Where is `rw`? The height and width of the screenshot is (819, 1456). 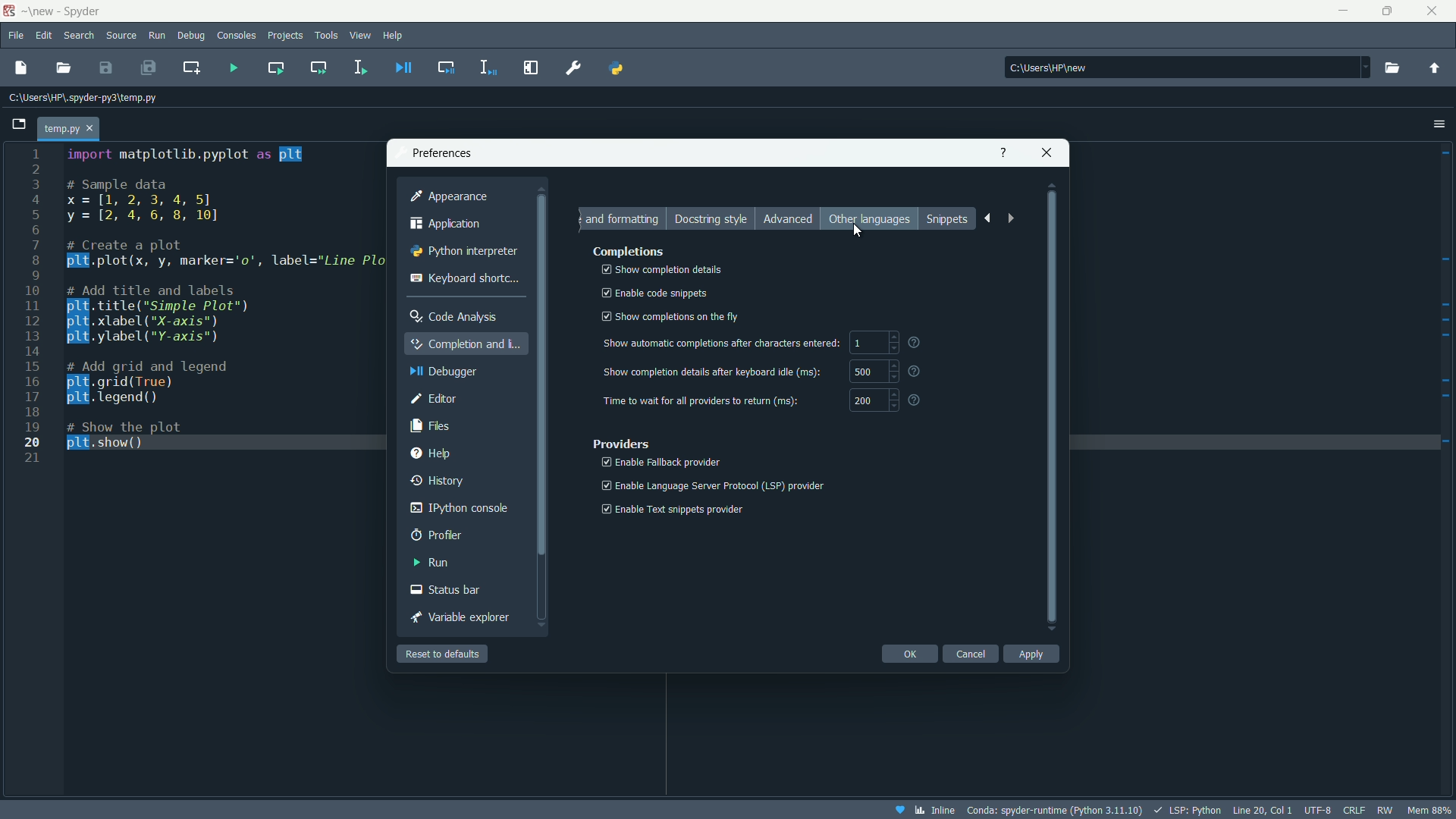
rw is located at coordinates (1389, 810).